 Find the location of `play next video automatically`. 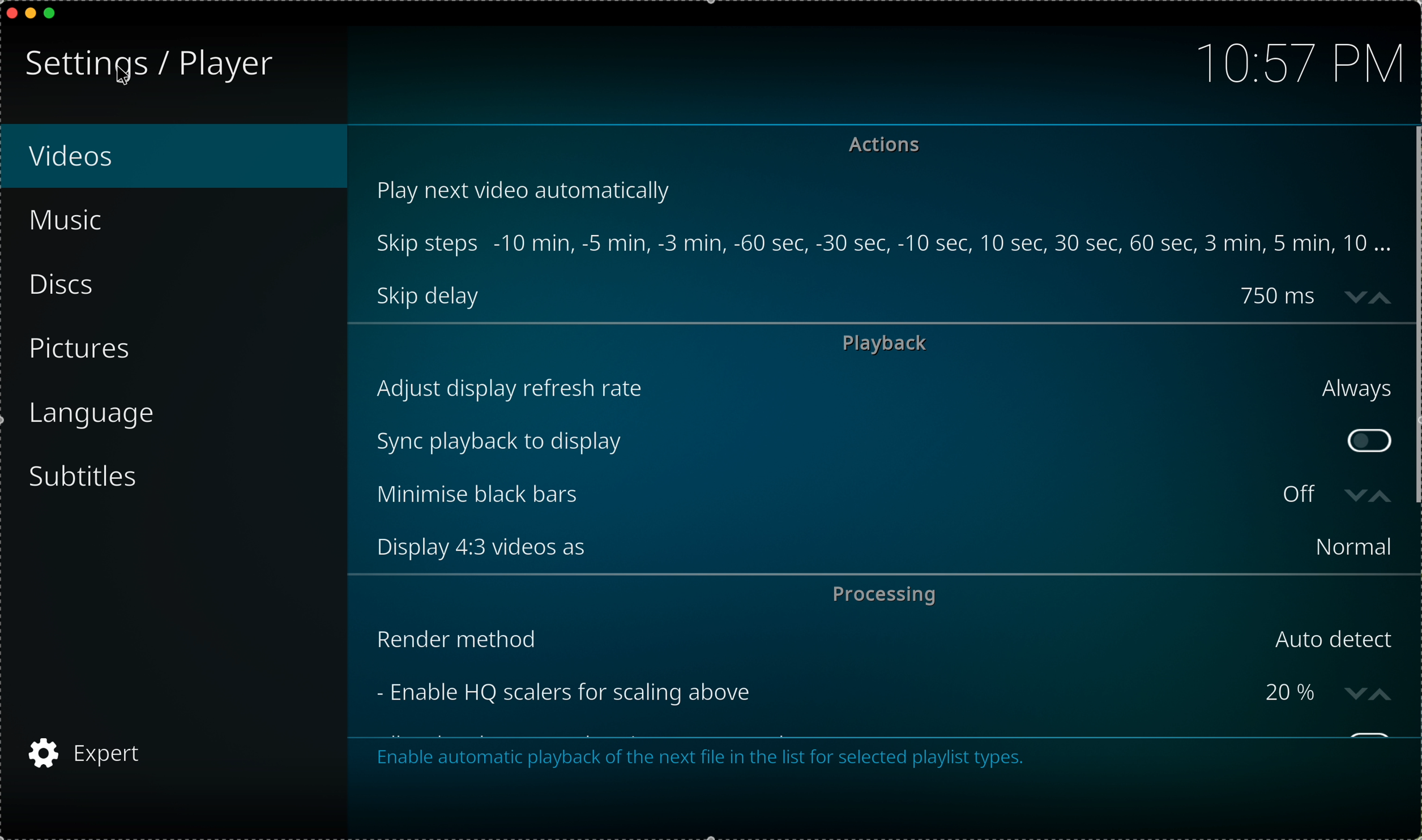

play next video automatically is located at coordinates (529, 189).